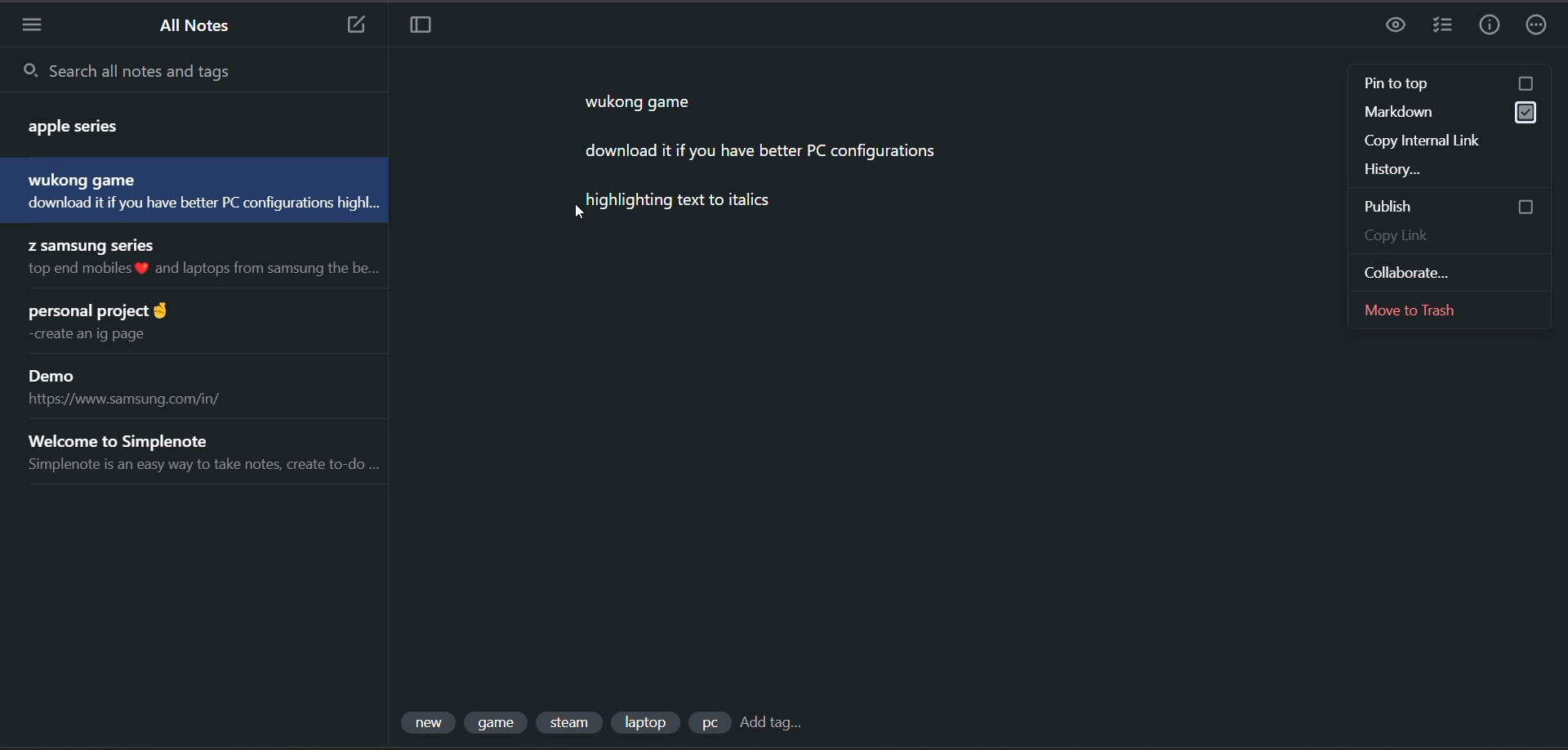 This screenshot has width=1568, height=750. What do you see at coordinates (1443, 26) in the screenshot?
I see `insert checklist` at bounding box center [1443, 26].